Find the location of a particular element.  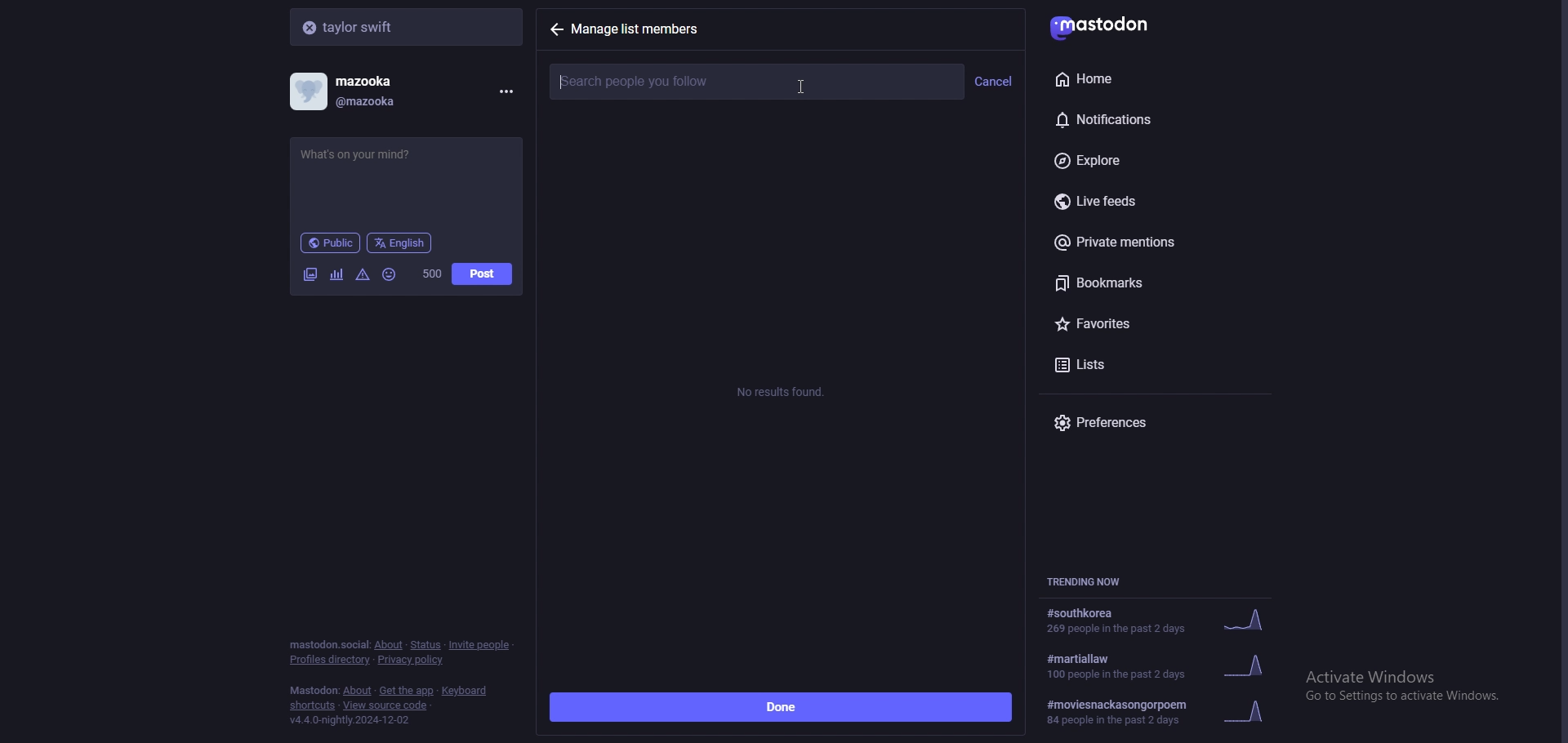

list member input is located at coordinates (756, 82).